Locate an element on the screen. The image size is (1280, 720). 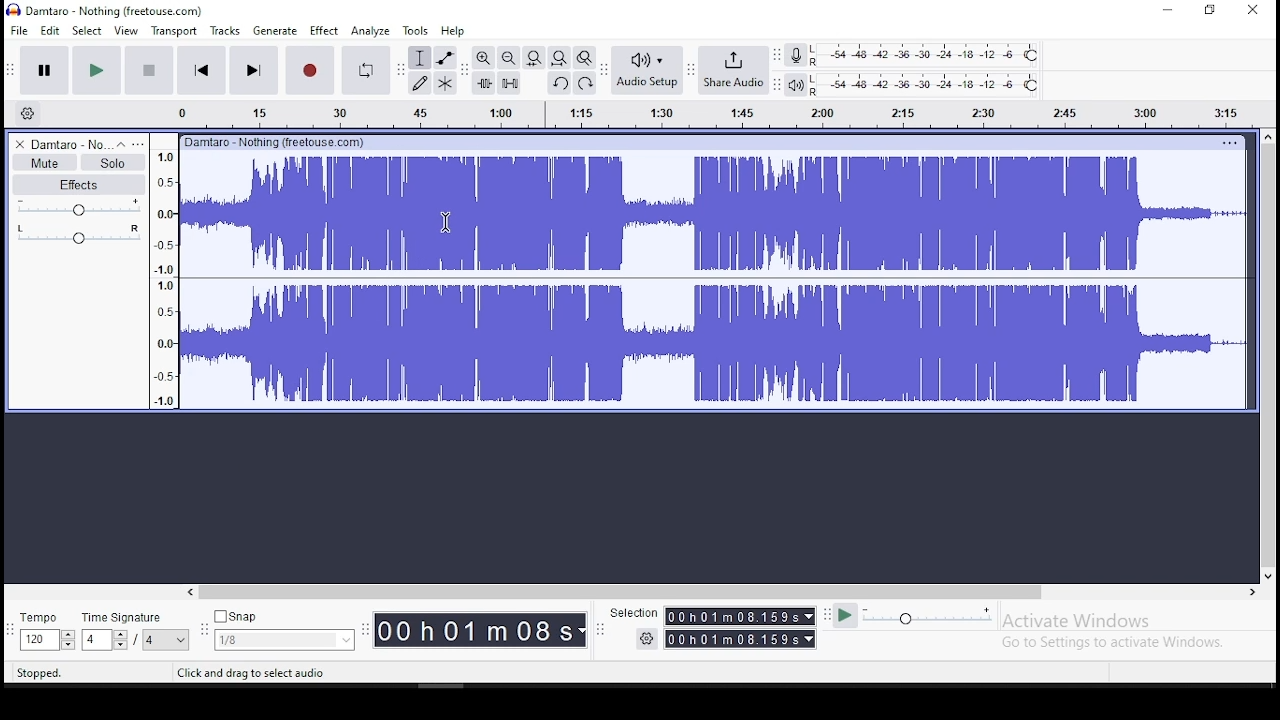
recording level is located at coordinates (925, 55).